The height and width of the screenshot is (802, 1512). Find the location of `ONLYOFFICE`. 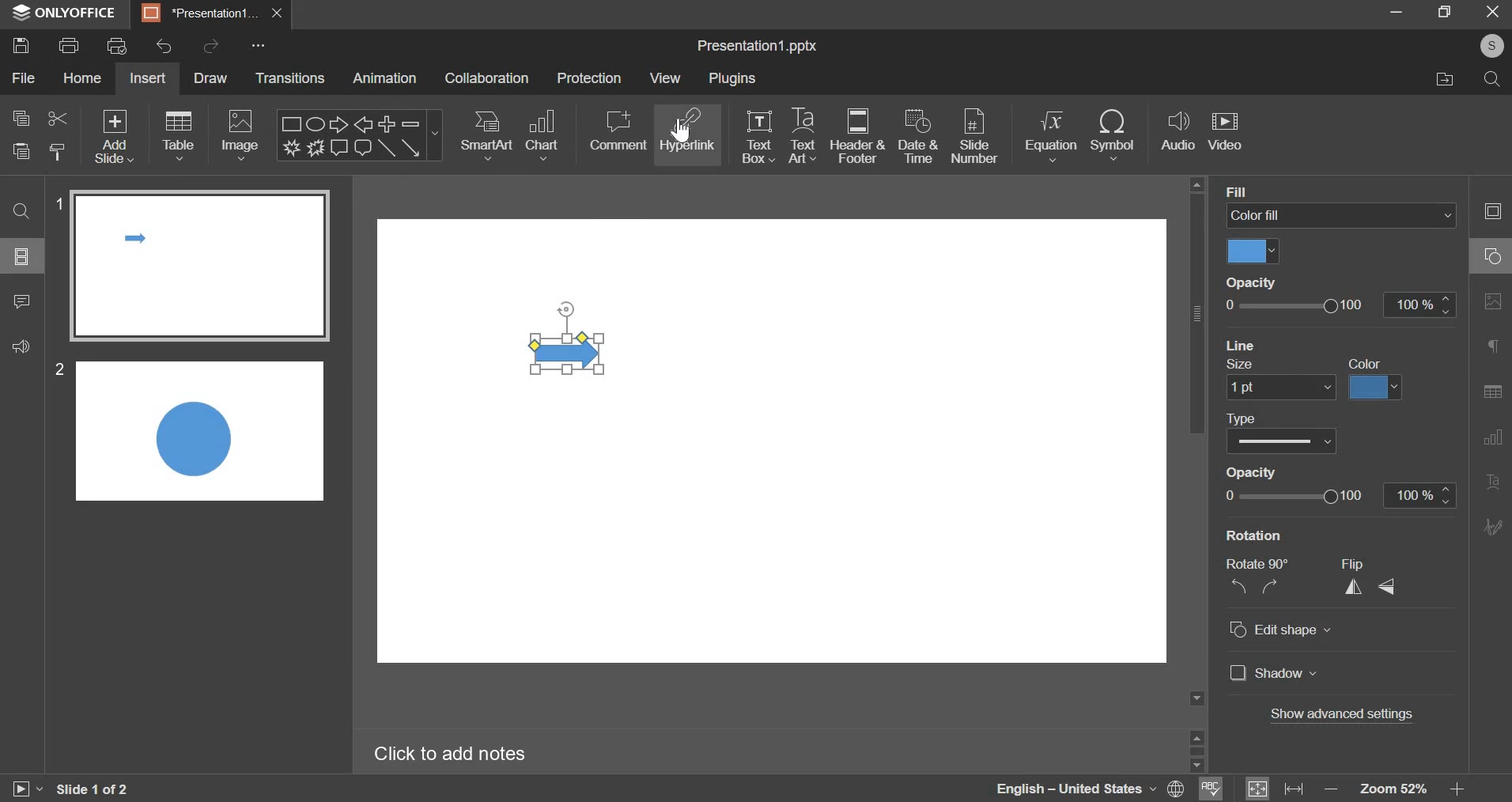

ONLYOFFICE is located at coordinates (62, 15).